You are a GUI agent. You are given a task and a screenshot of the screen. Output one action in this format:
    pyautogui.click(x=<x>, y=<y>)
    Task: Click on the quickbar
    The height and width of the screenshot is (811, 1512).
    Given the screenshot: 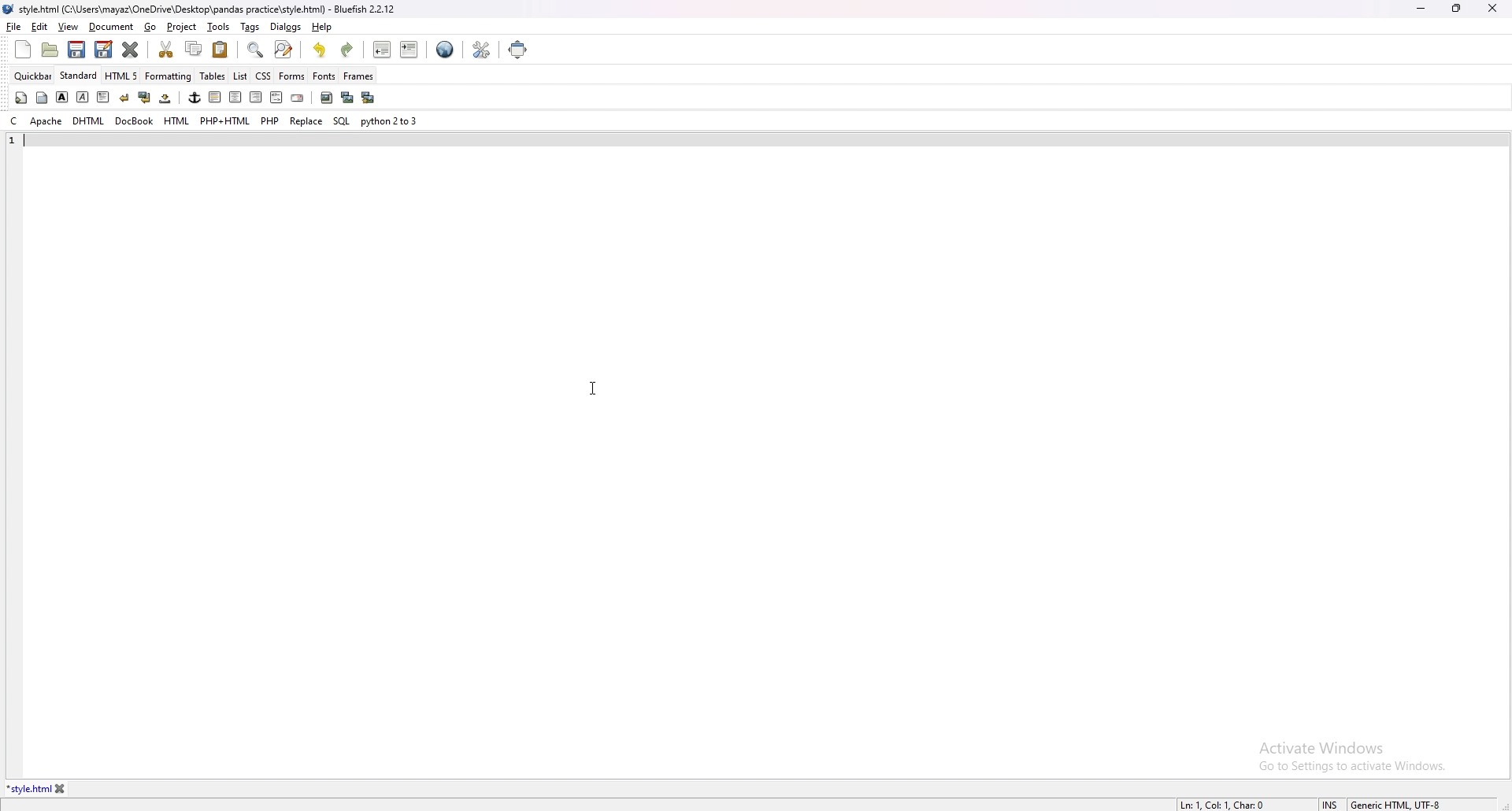 What is the action you would take?
    pyautogui.click(x=34, y=76)
    